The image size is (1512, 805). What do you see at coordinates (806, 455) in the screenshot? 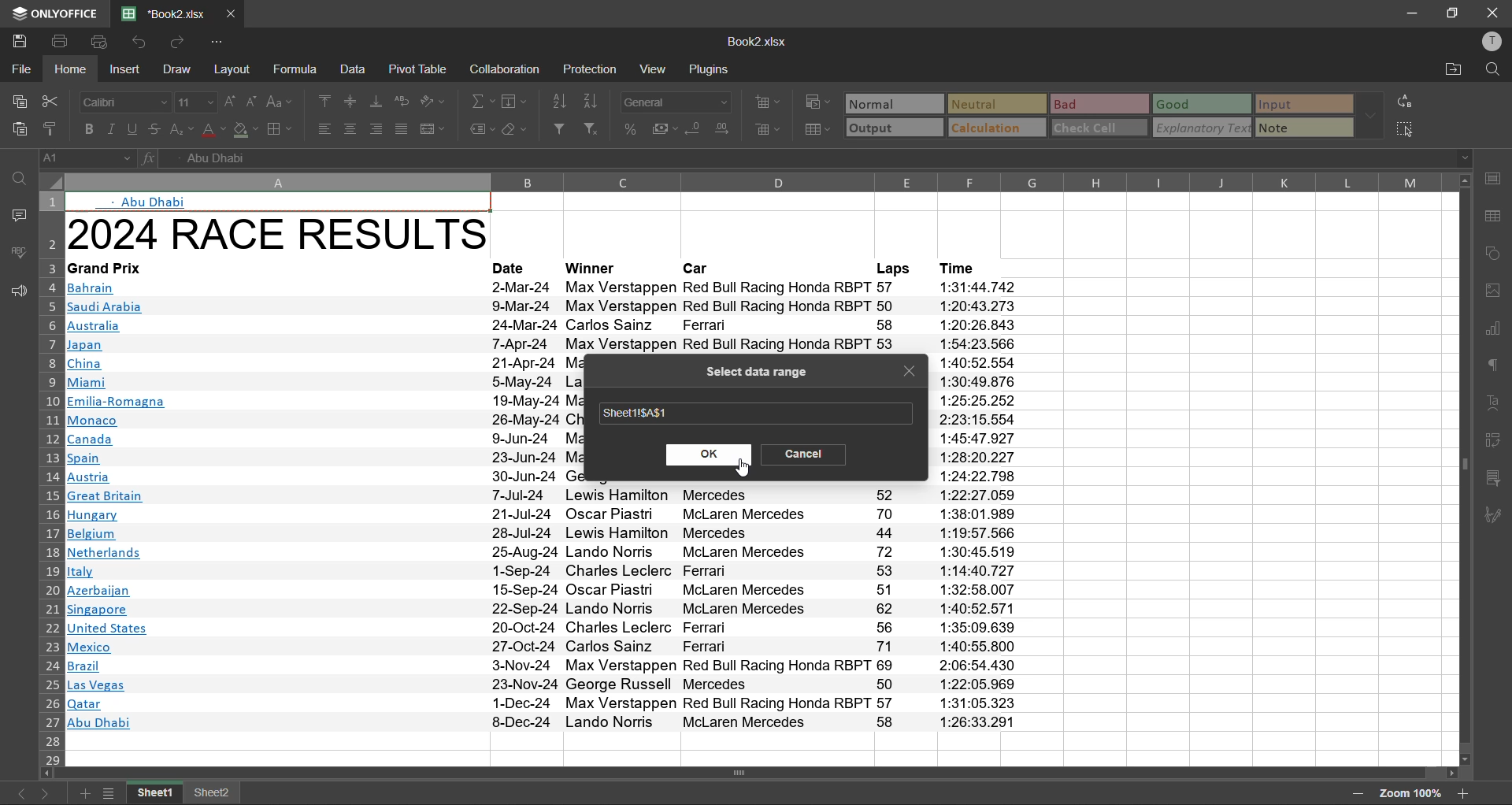
I see `cancel` at bounding box center [806, 455].